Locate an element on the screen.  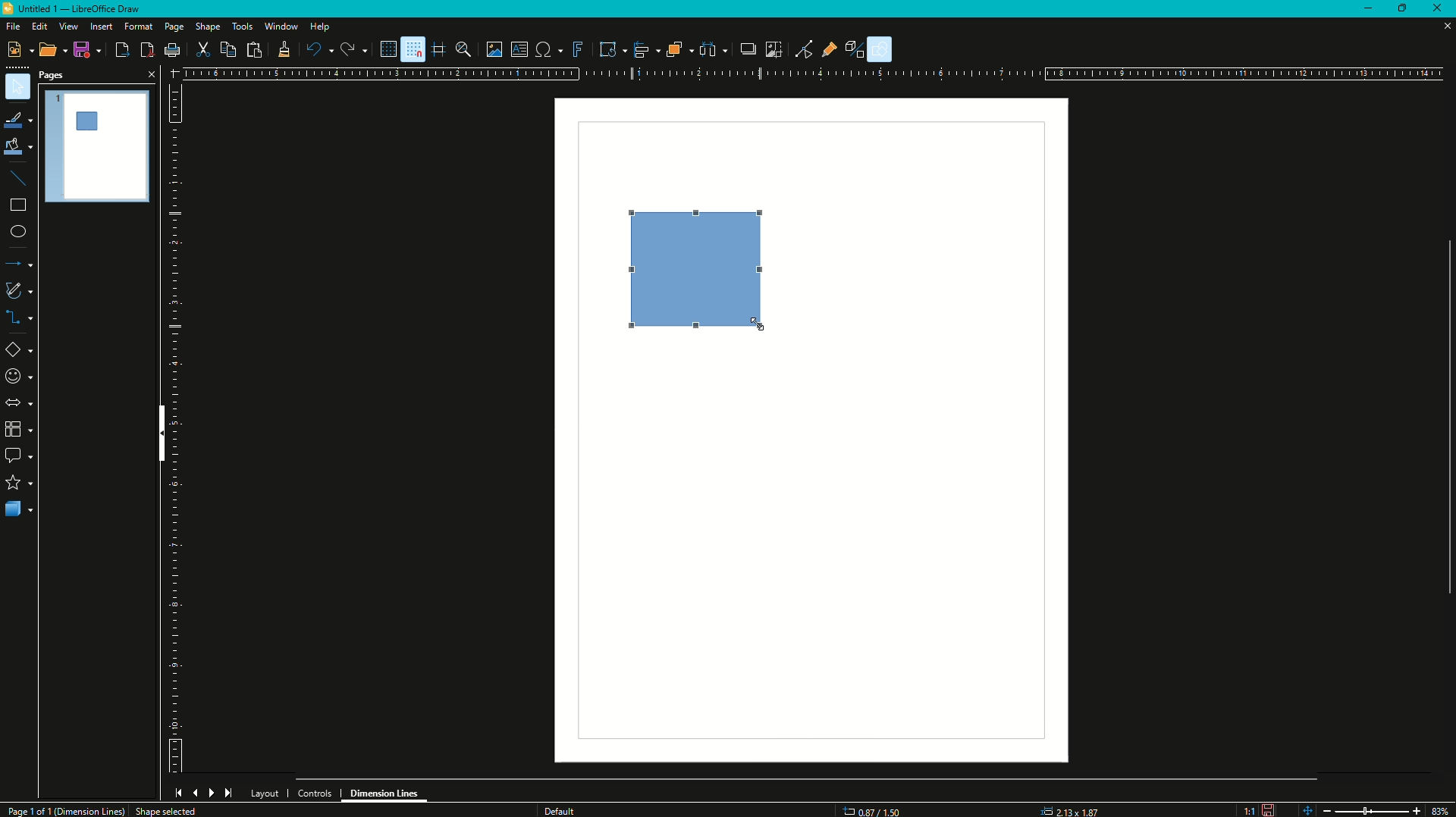
Page is located at coordinates (173, 28).